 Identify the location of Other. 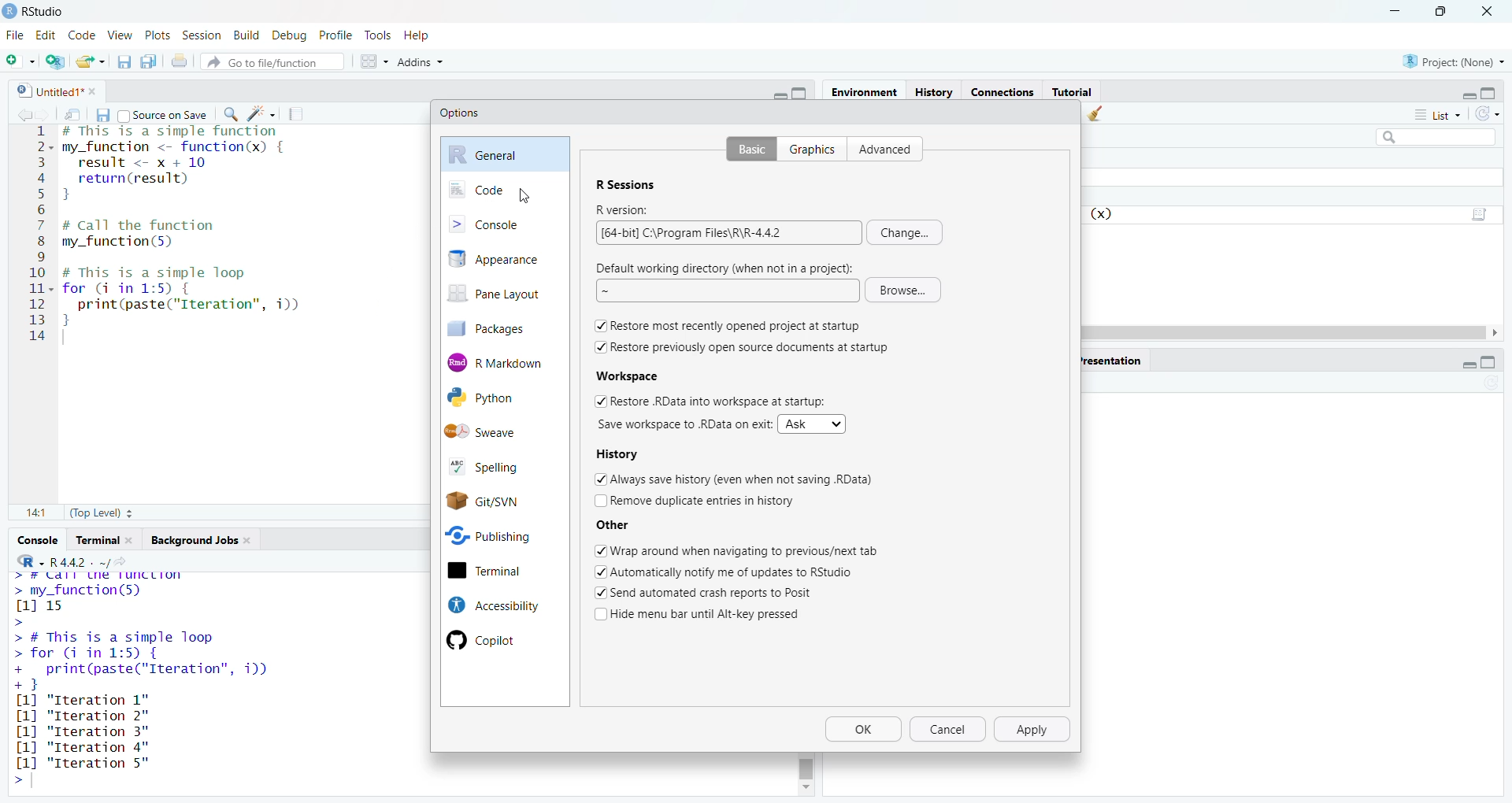
(618, 523).